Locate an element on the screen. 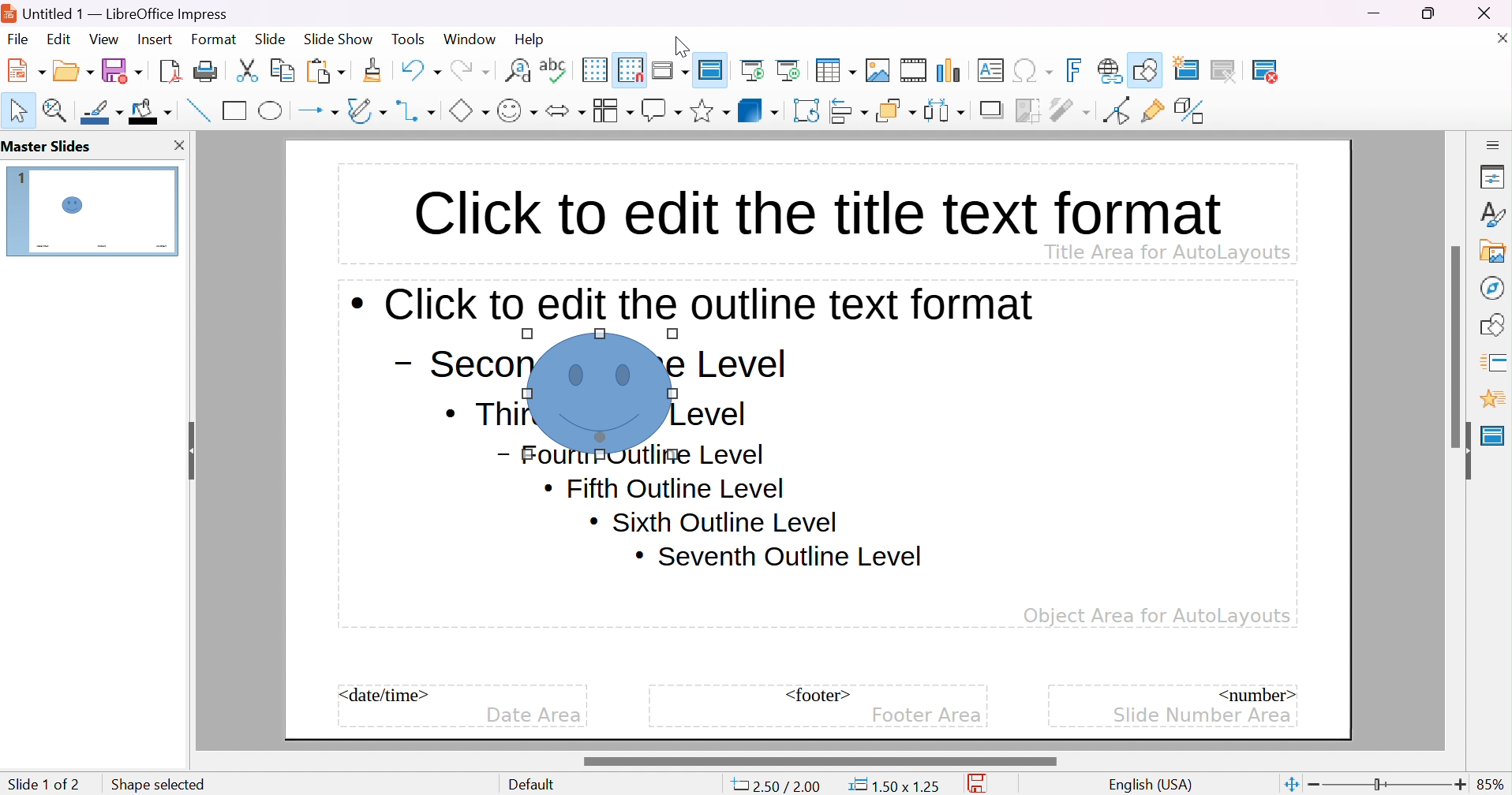  select is located at coordinates (20, 110).